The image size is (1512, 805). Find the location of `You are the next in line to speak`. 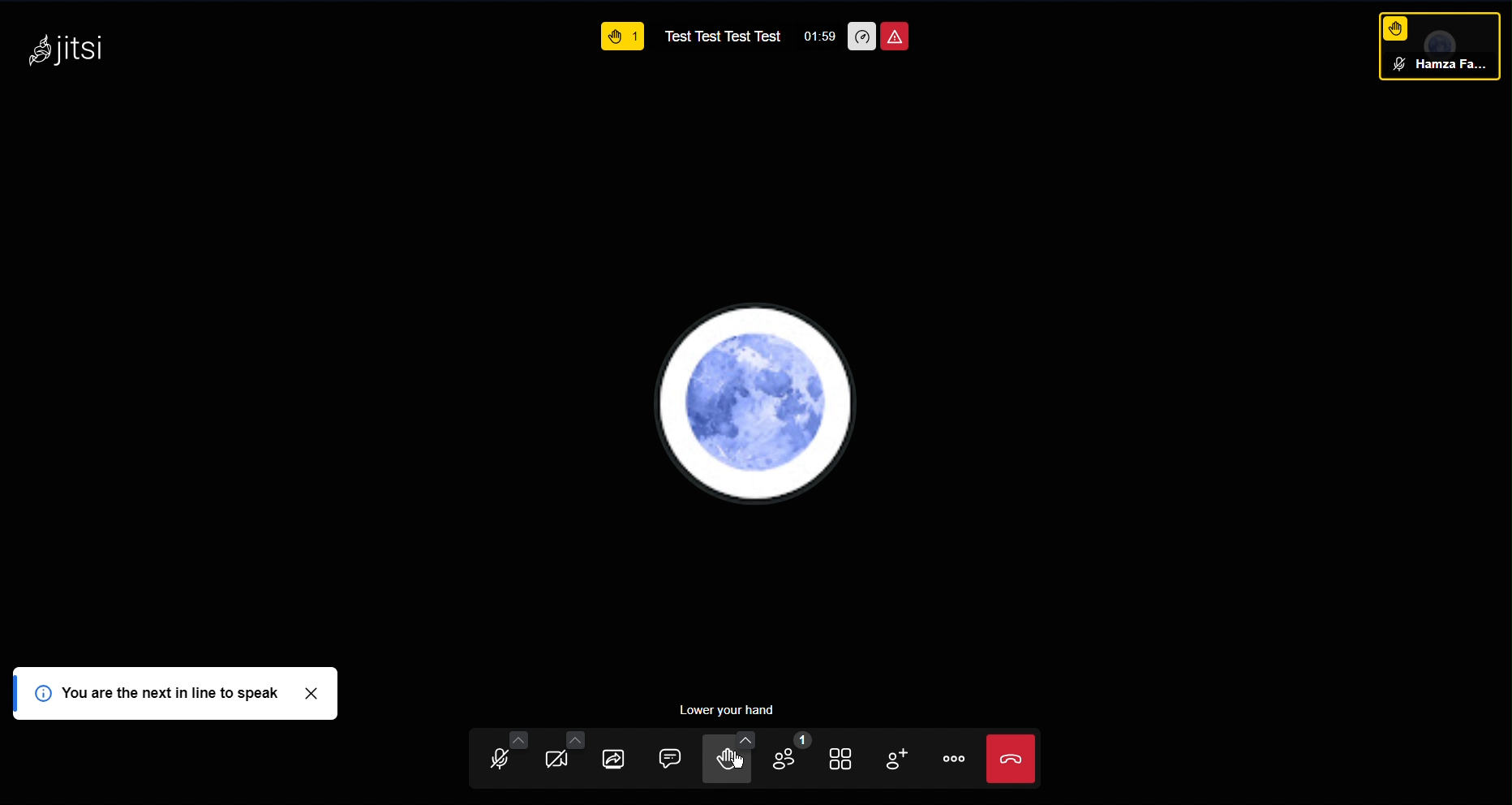

You are the next in line to speak is located at coordinates (178, 694).